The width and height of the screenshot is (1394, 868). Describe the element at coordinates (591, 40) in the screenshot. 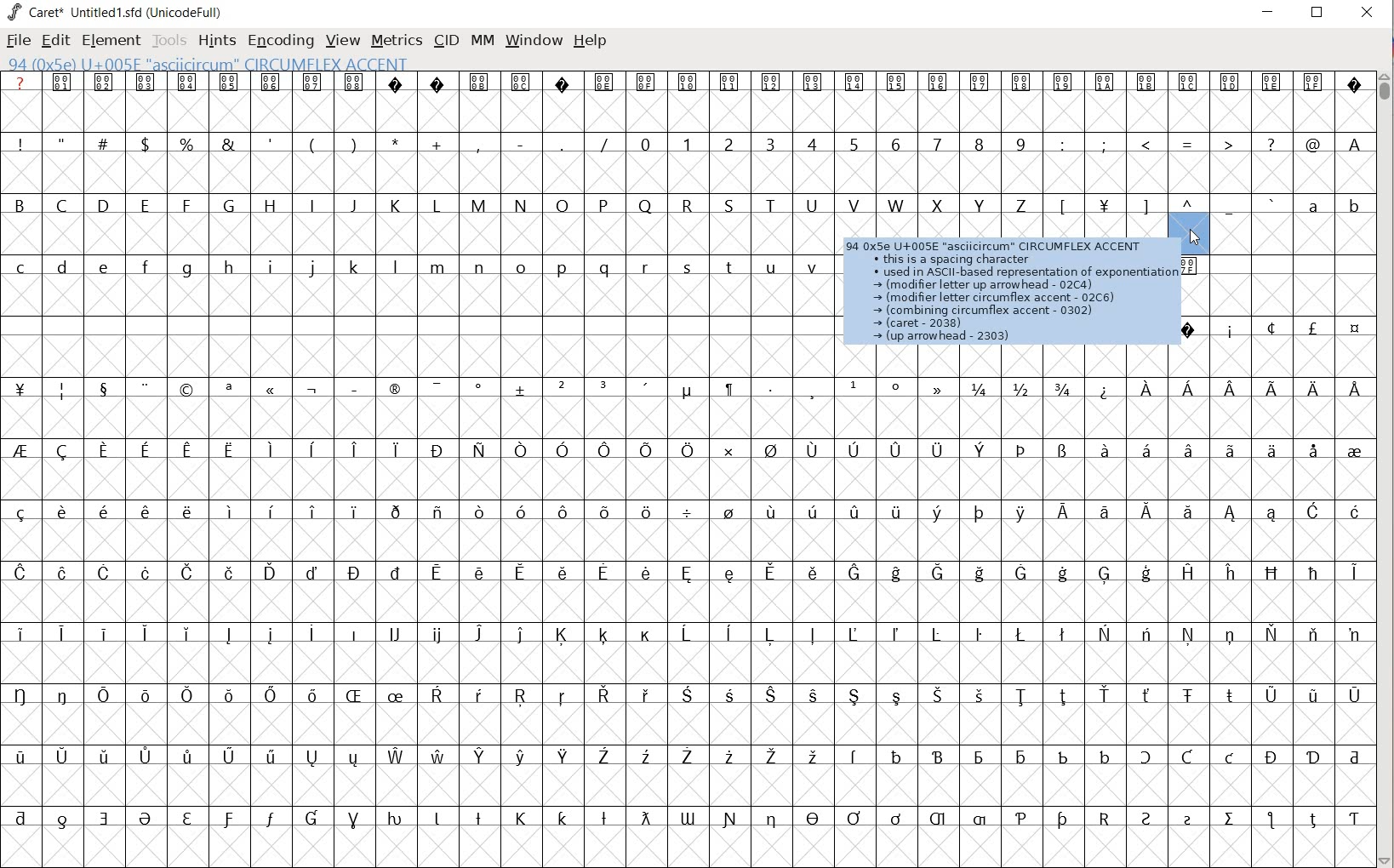

I see `HELP` at that location.